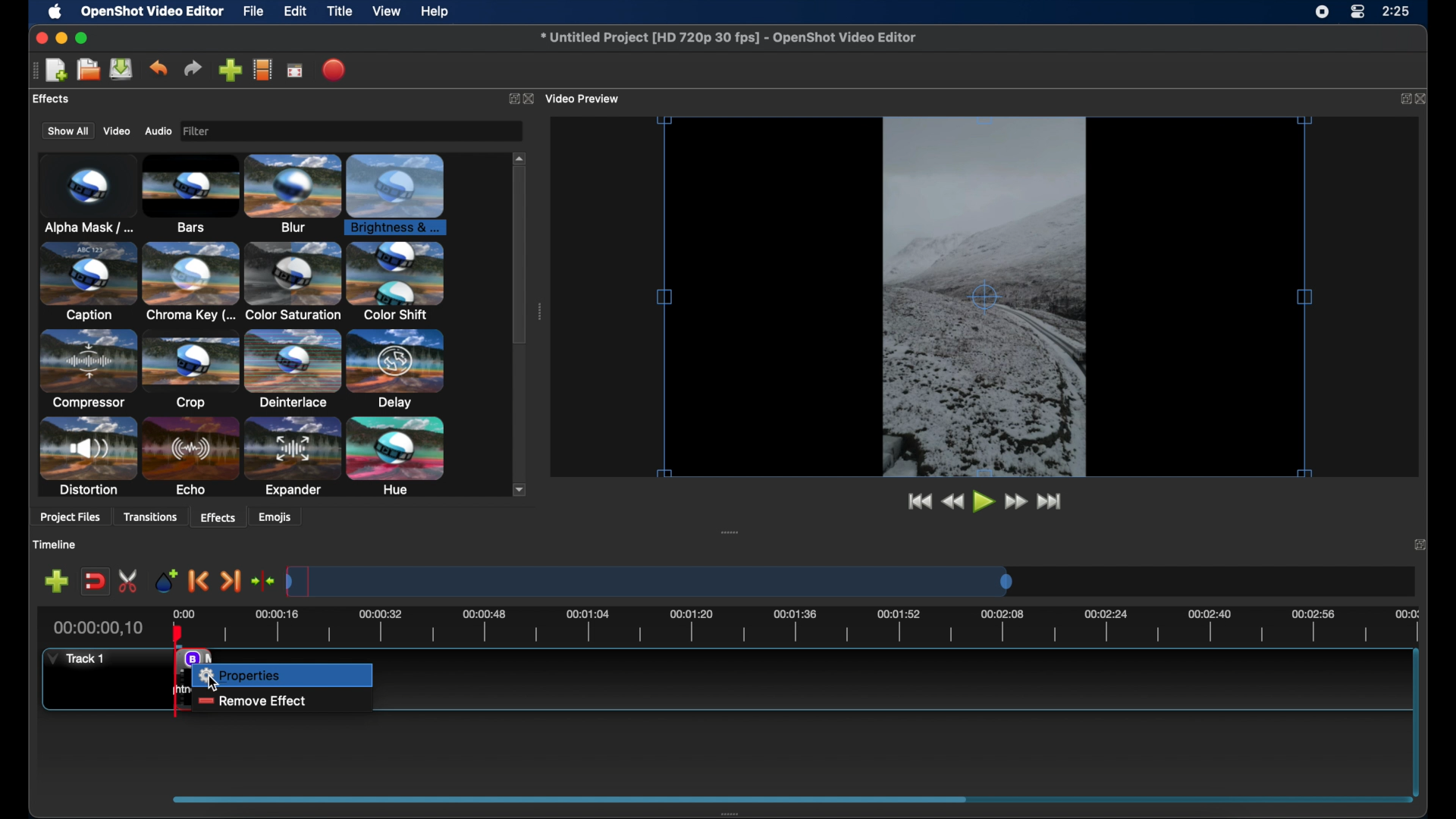 The width and height of the screenshot is (1456, 819). Describe the element at coordinates (584, 98) in the screenshot. I see `video preview` at that location.